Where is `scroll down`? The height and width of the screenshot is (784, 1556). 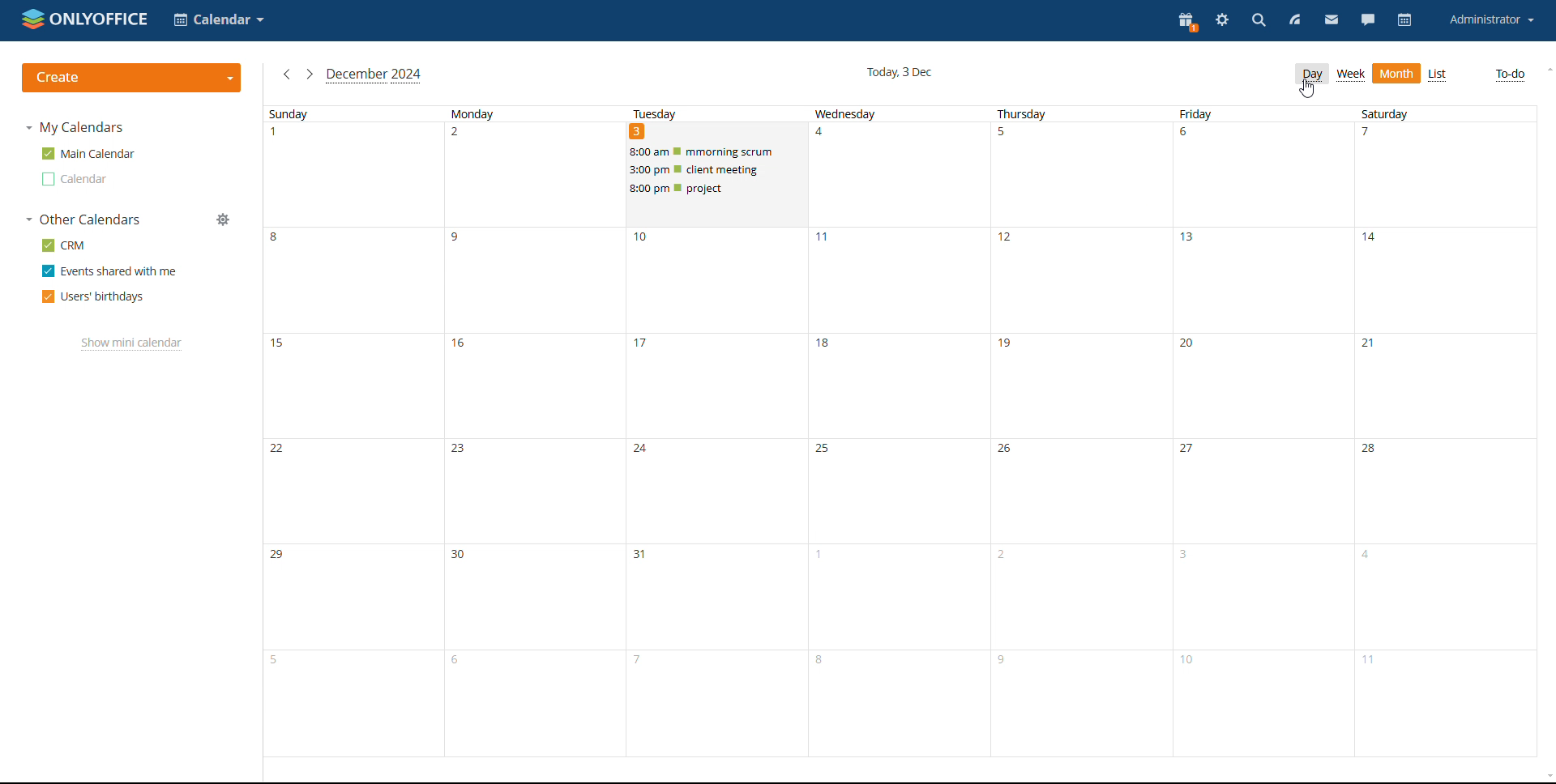
scroll down is located at coordinates (1546, 777).